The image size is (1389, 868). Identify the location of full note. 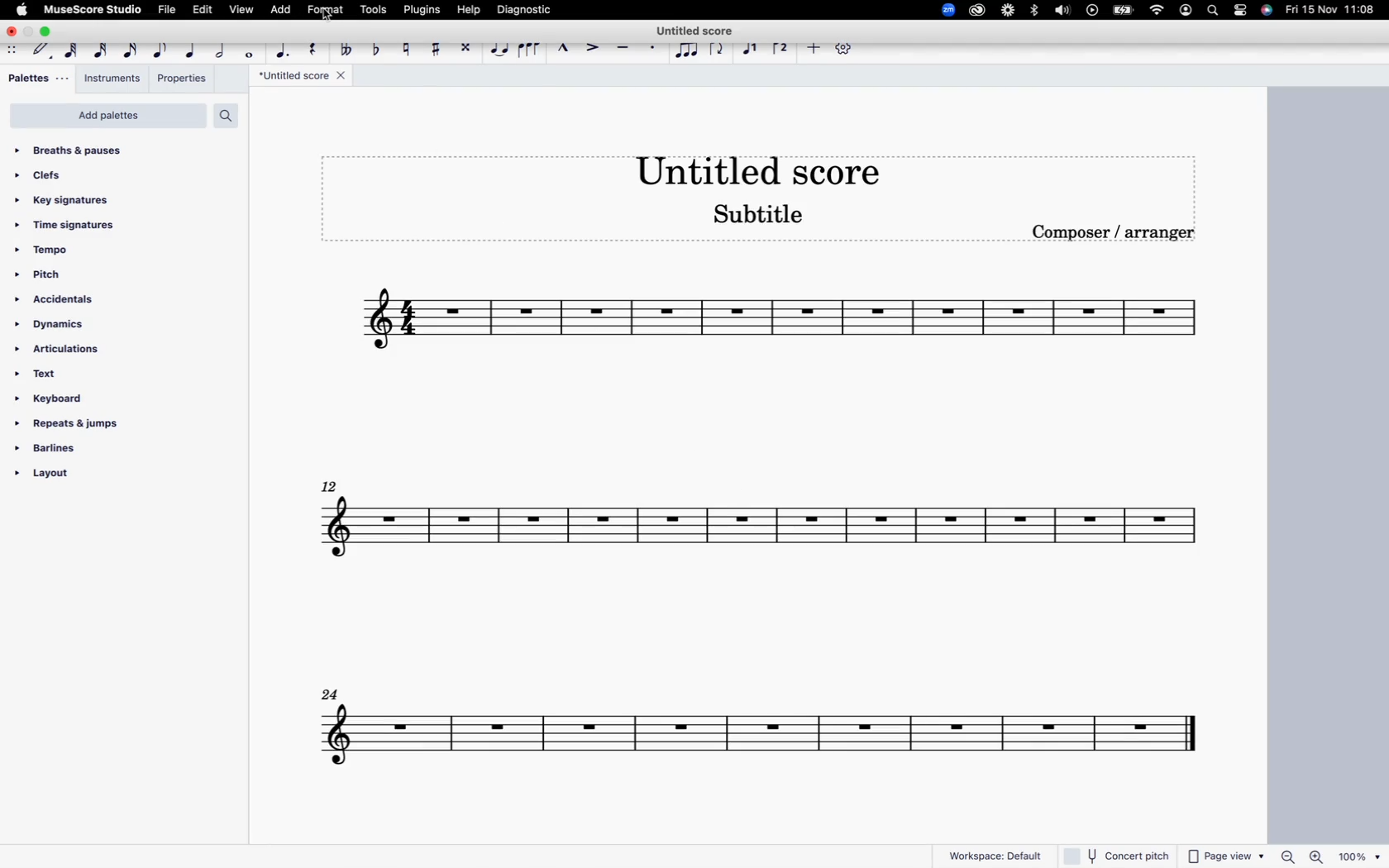
(248, 51).